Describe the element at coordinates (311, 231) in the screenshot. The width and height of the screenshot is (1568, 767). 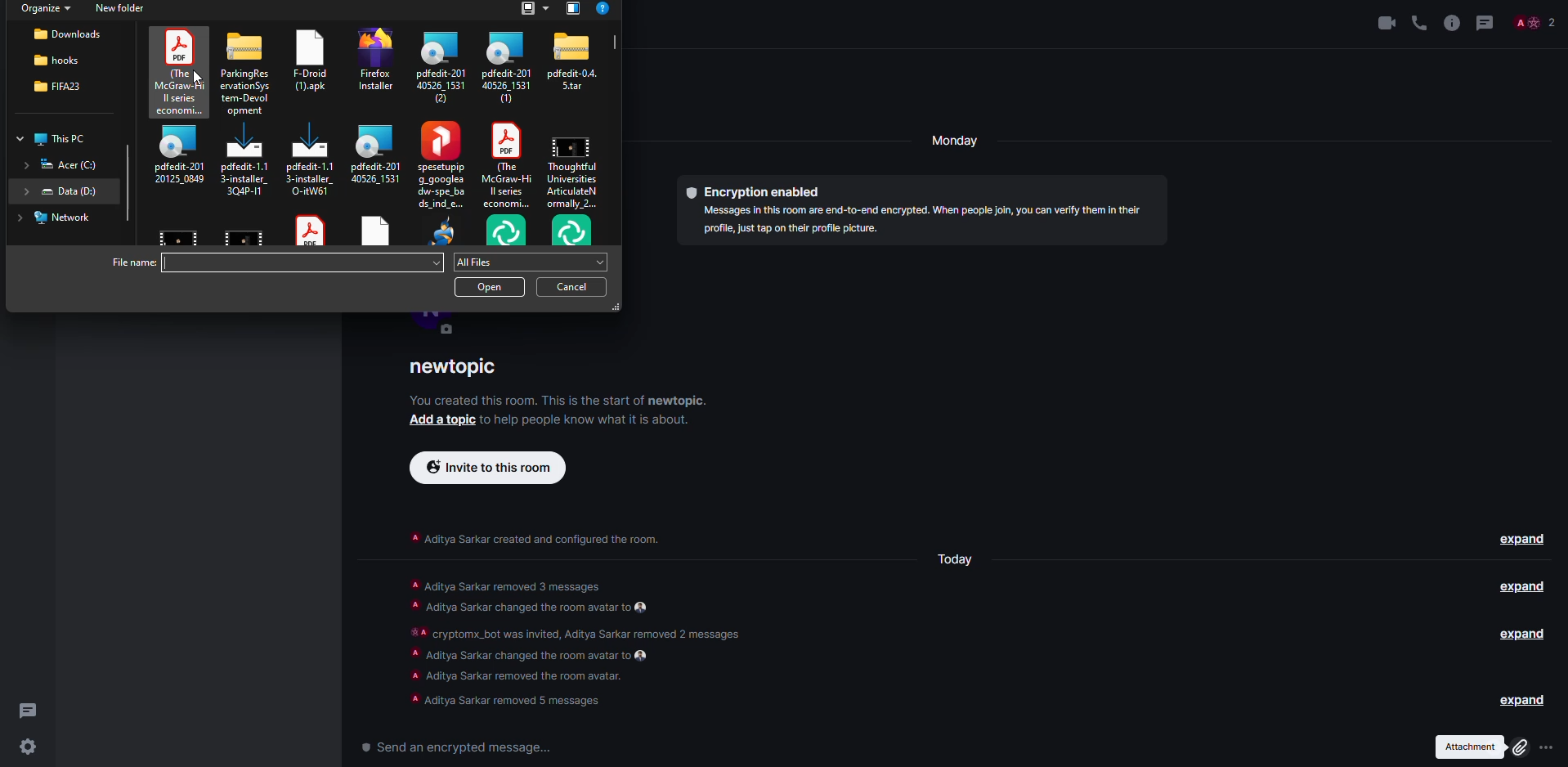
I see `file` at that location.